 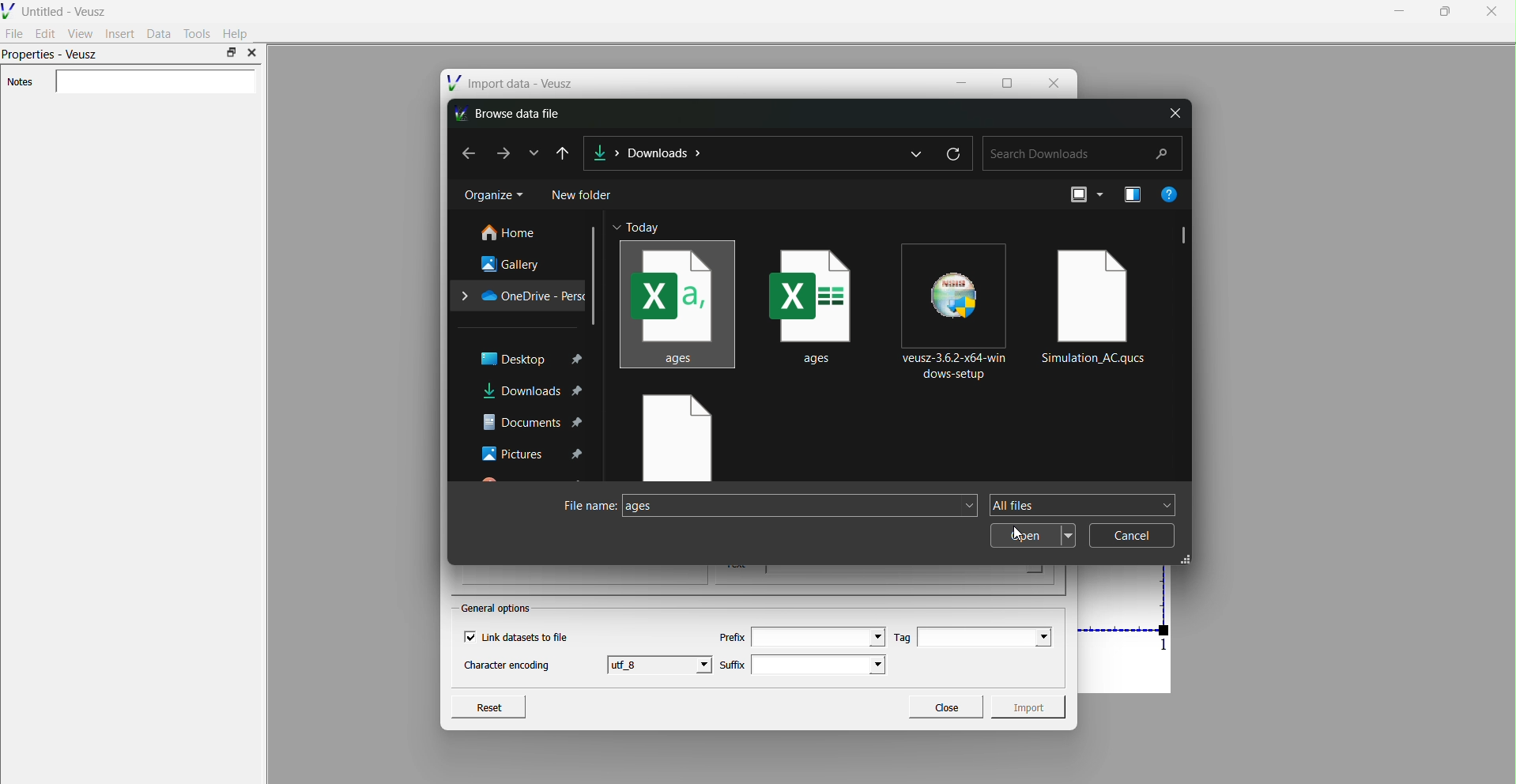 I want to click on ages, so click(x=818, y=300).